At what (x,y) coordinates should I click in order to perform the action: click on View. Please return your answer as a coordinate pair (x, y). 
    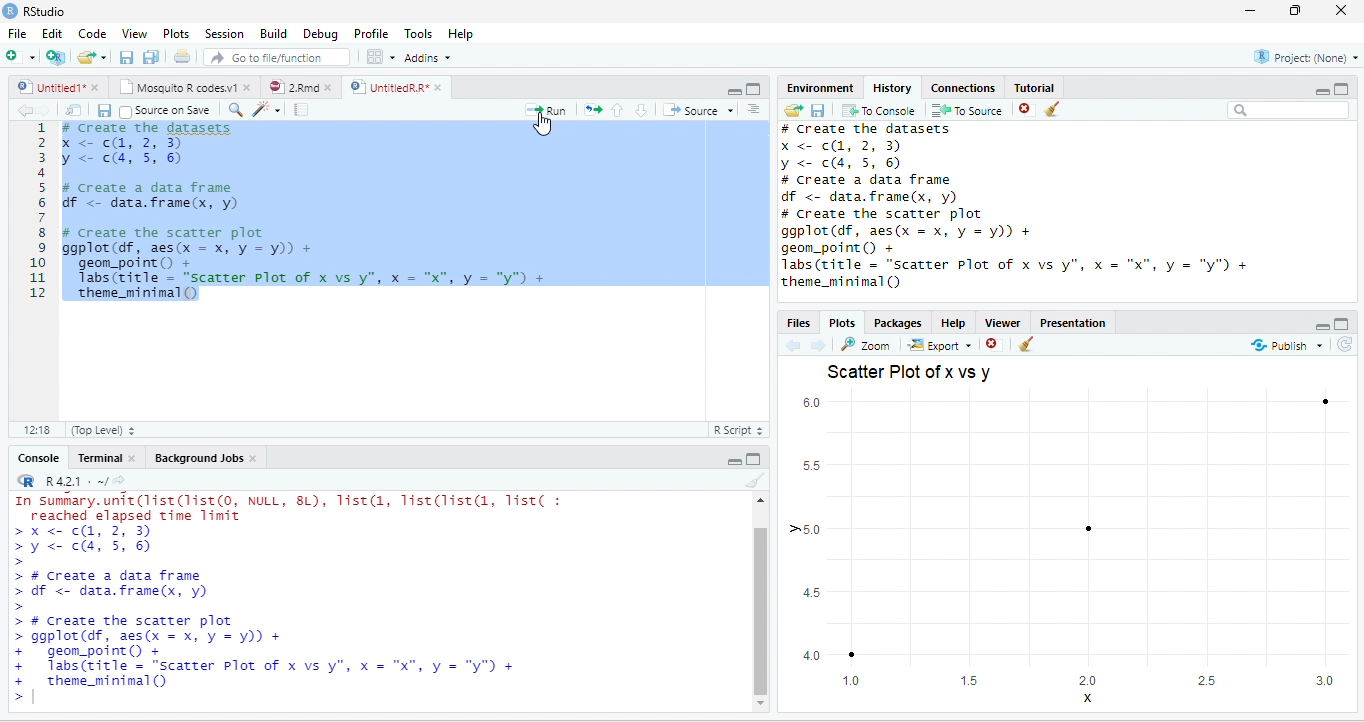
    Looking at the image, I should click on (134, 33).